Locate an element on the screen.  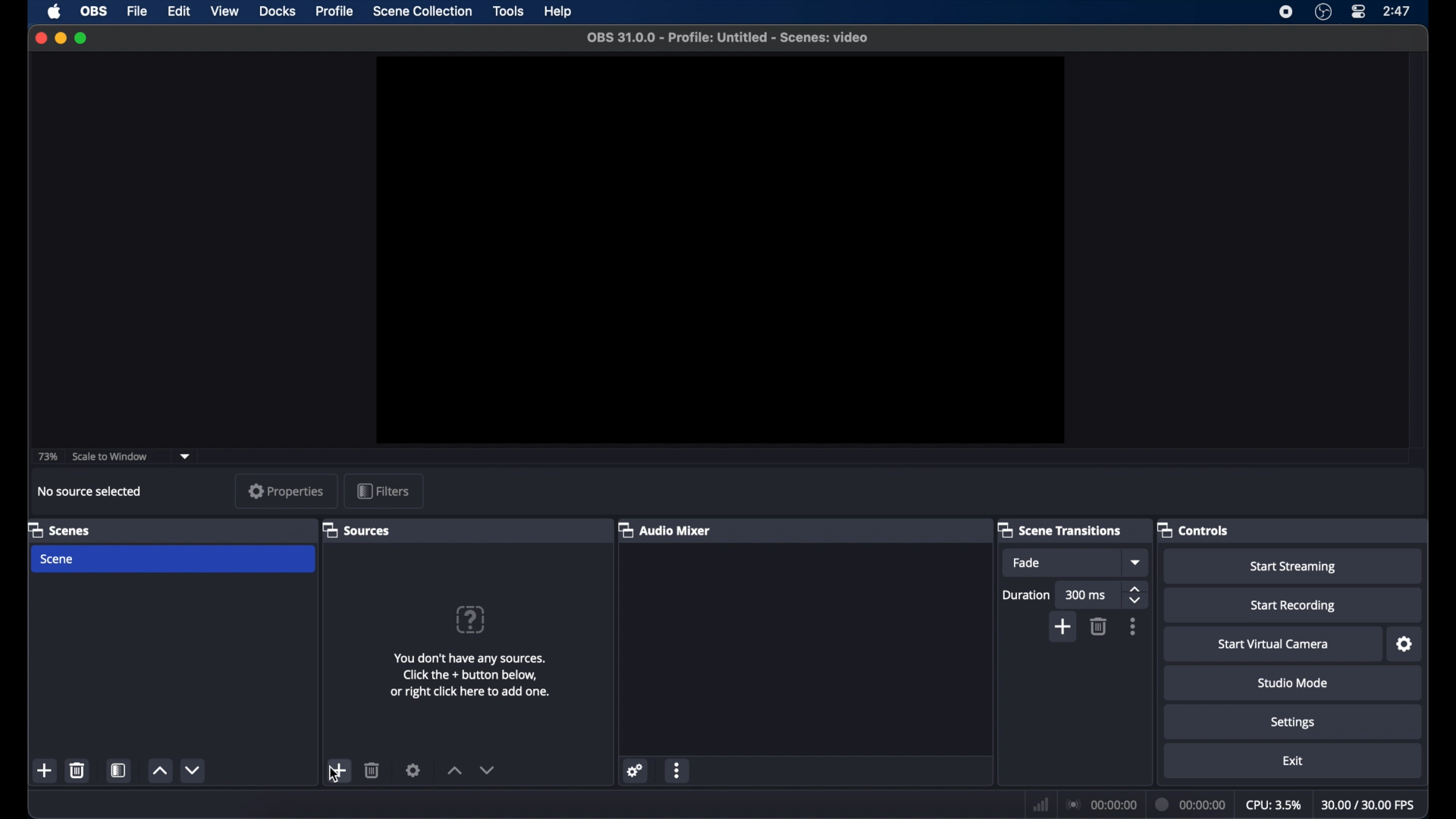
settings is located at coordinates (636, 770).